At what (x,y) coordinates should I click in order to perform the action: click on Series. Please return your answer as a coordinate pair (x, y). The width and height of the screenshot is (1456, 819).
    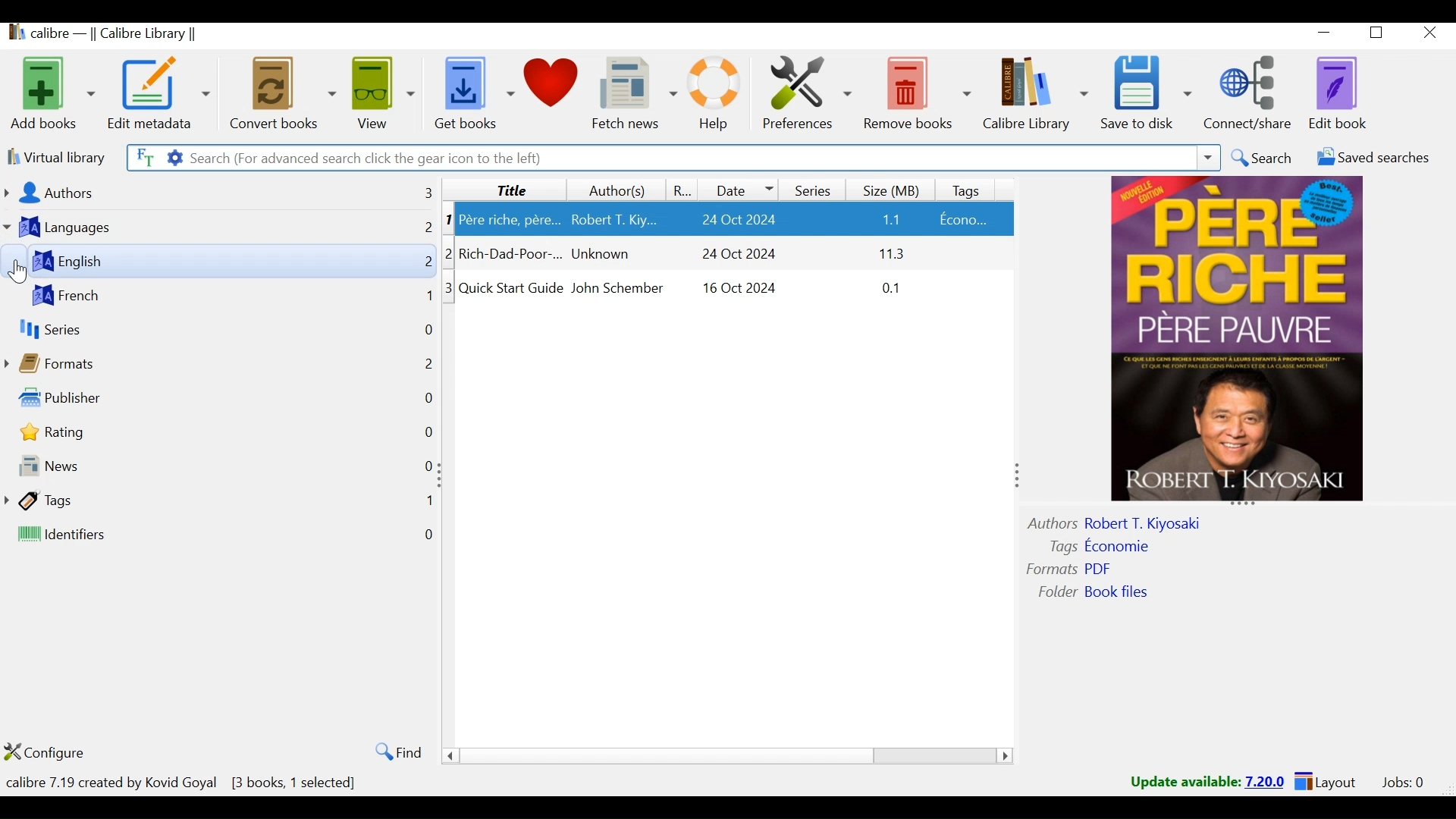
    Looking at the image, I should click on (811, 188).